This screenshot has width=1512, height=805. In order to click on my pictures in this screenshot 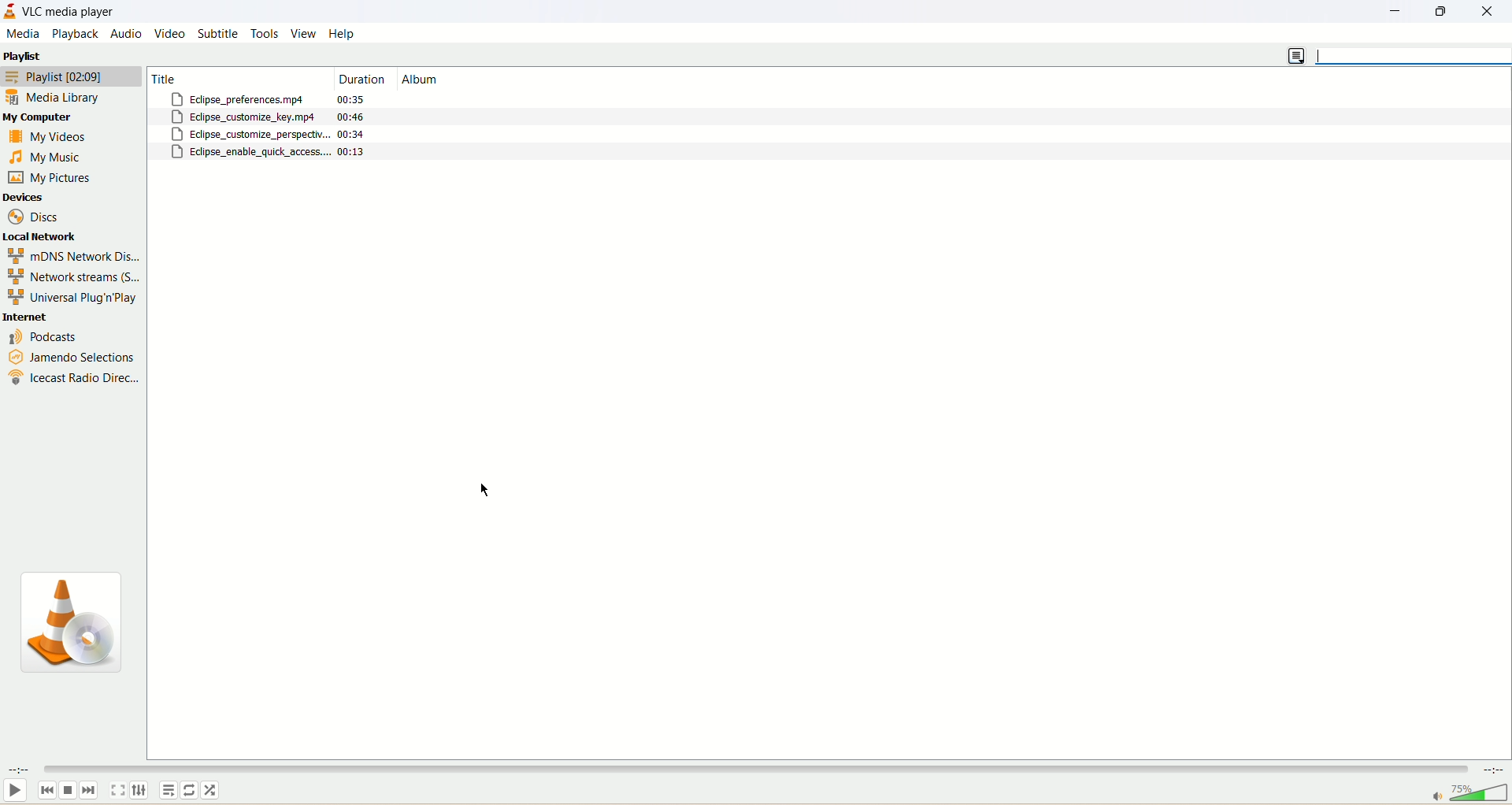, I will do `click(51, 178)`.